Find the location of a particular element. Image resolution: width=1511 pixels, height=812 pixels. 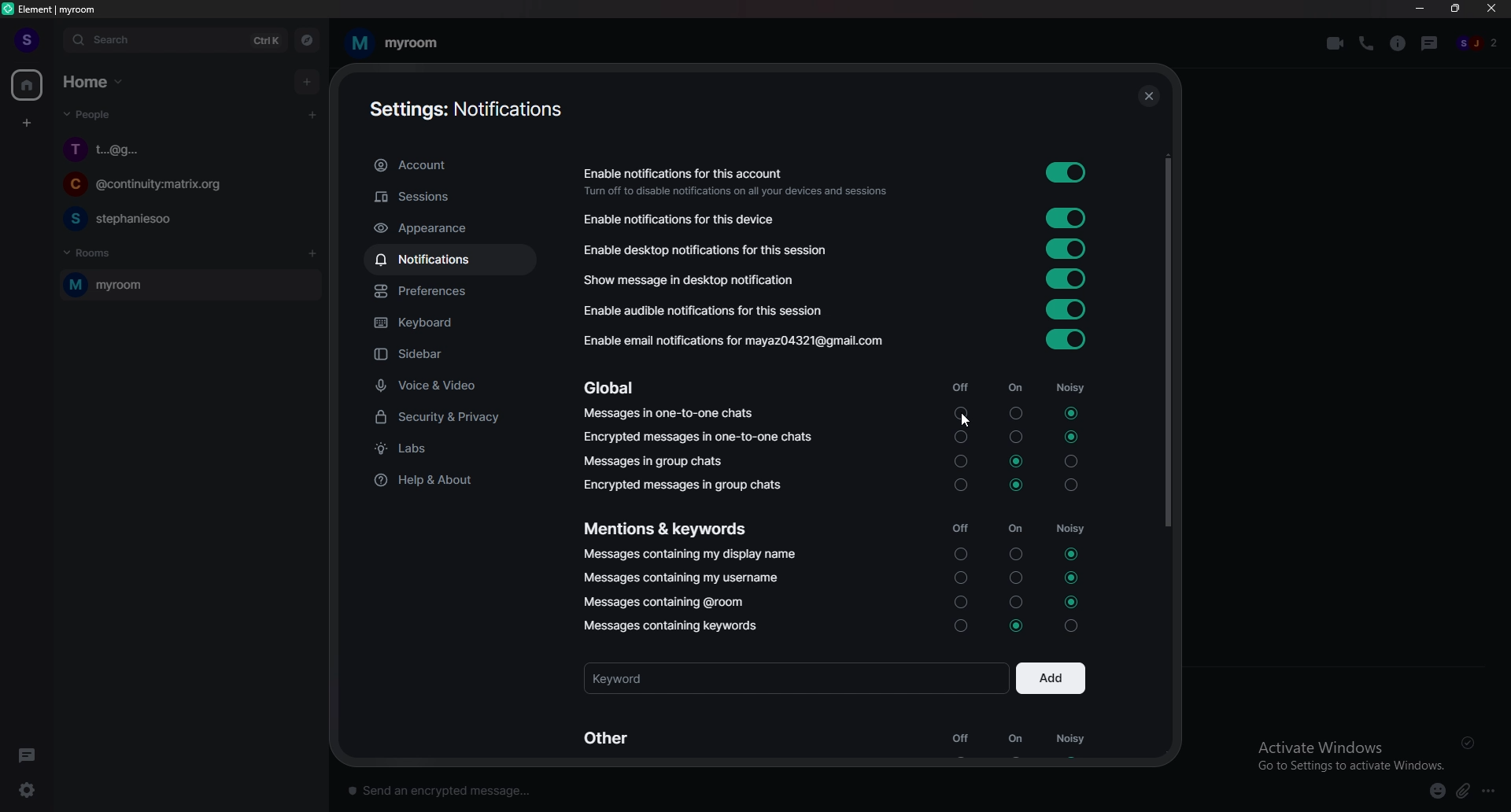

keyword input is located at coordinates (796, 677).